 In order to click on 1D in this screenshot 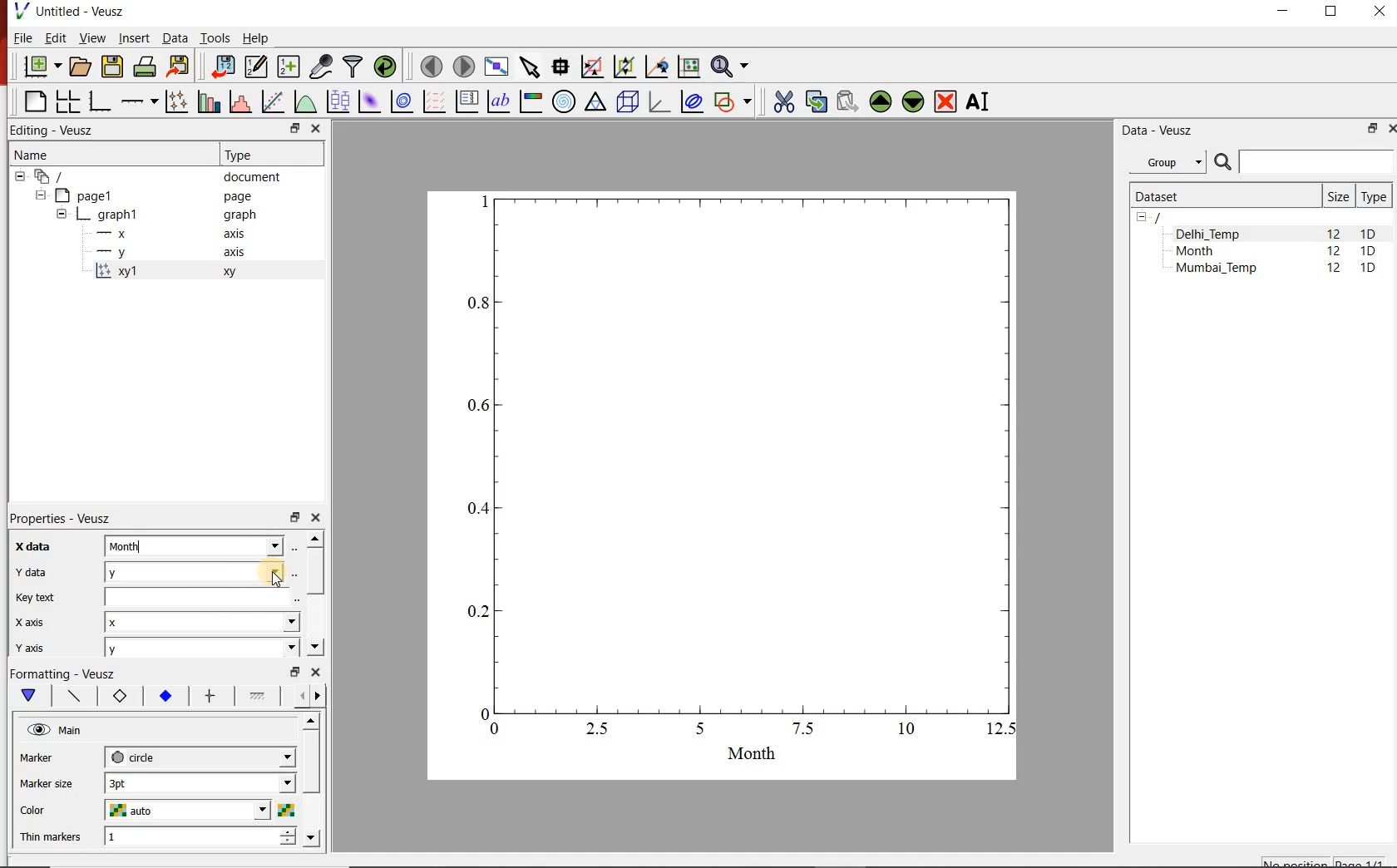, I will do `click(1368, 269)`.